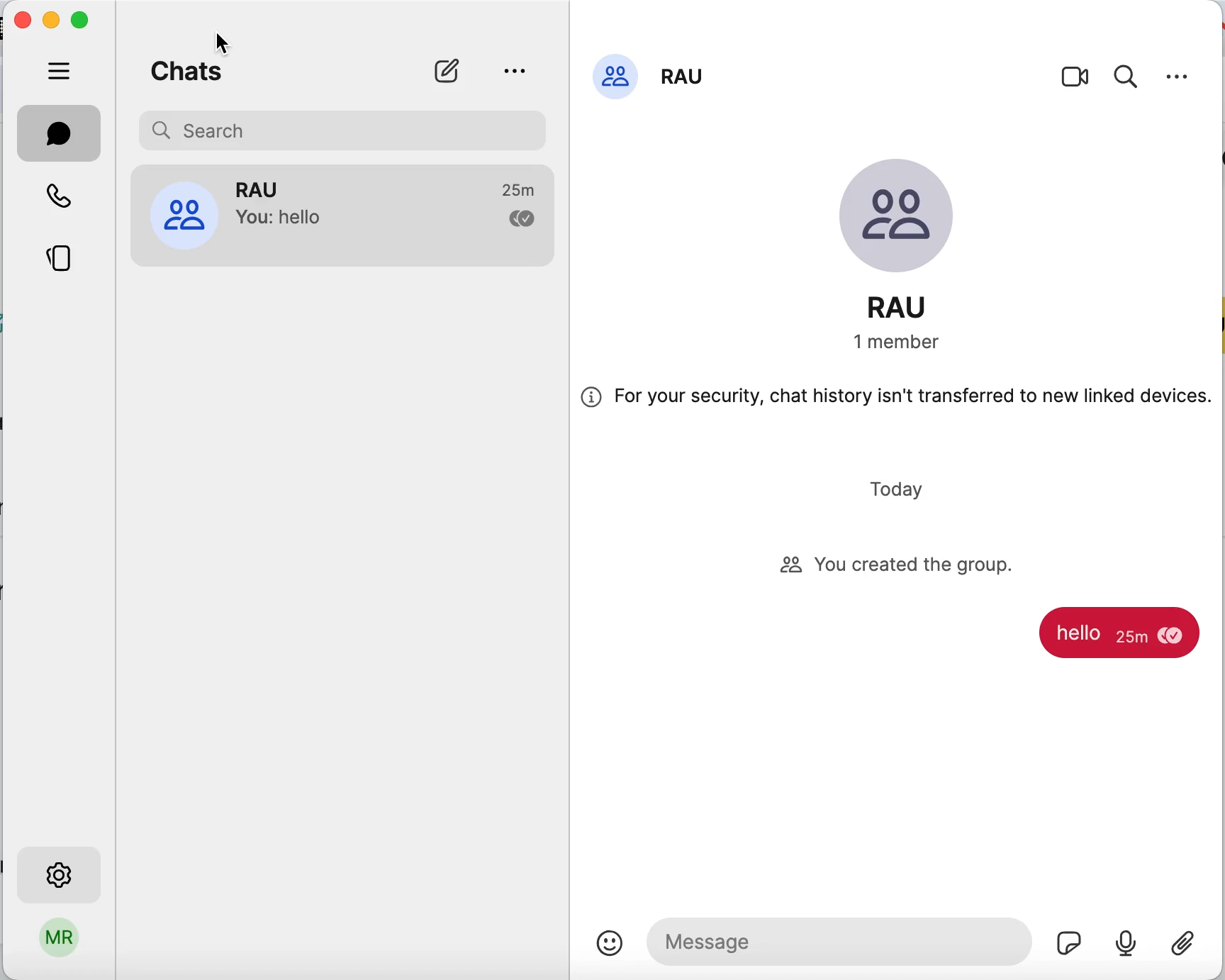 This screenshot has width=1225, height=980. Describe the element at coordinates (23, 23) in the screenshot. I see `close` at that location.